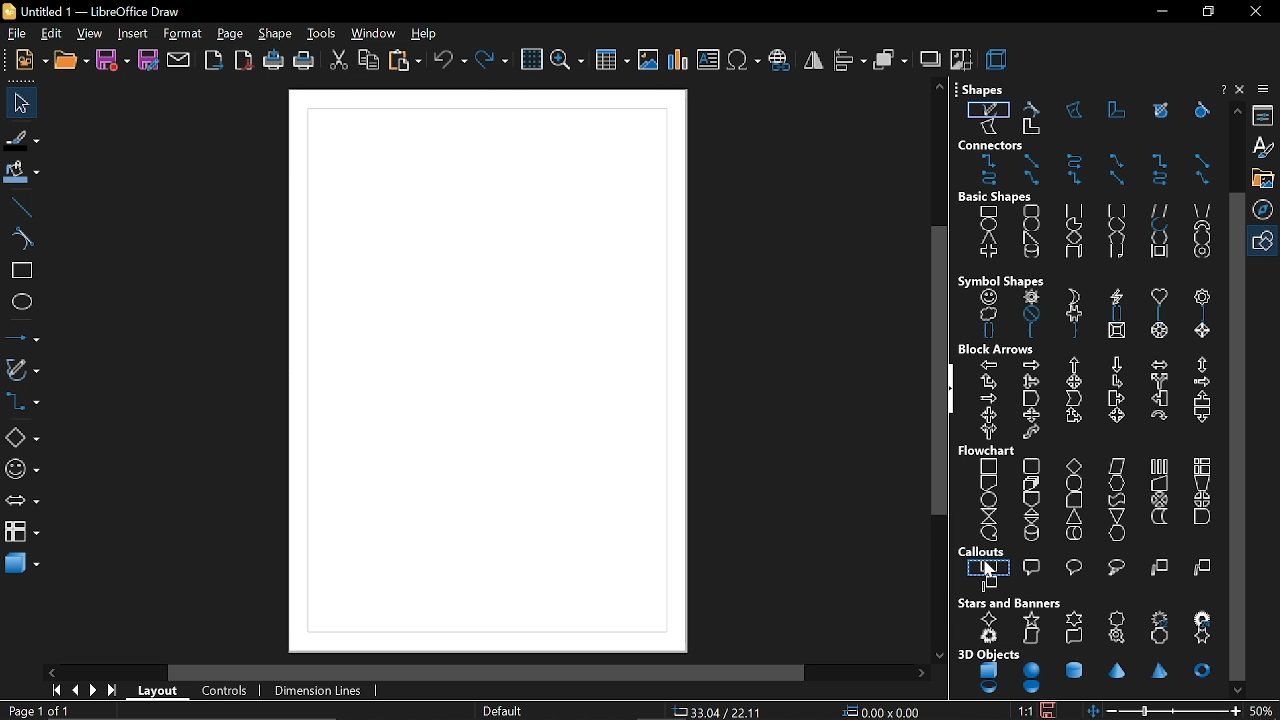 The width and height of the screenshot is (1280, 720). Describe the element at coordinates (1157, 364) in the screenshot. I see `left and right arrow` at that location.